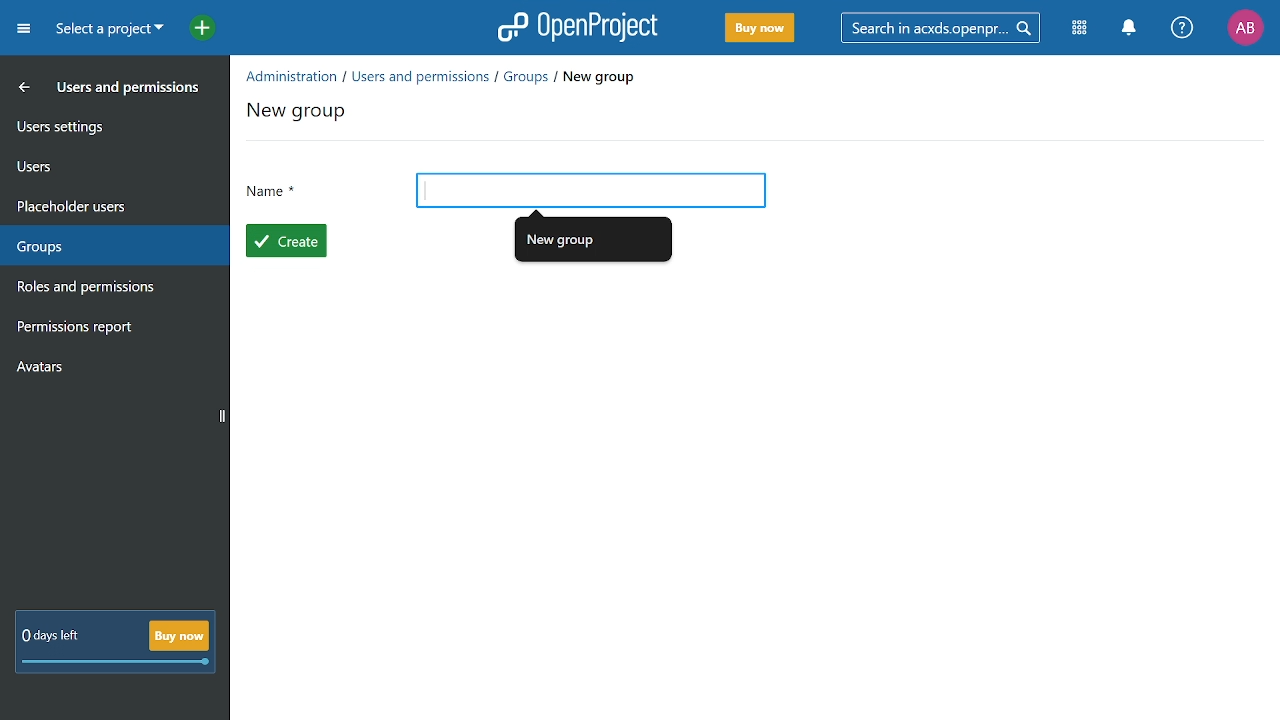 The height and width of the screenshot is (720, 1280). What do you see at coordinates (106, 288) in the screenshot?
I see `roles and permissions` at bounding box center [106, 288].